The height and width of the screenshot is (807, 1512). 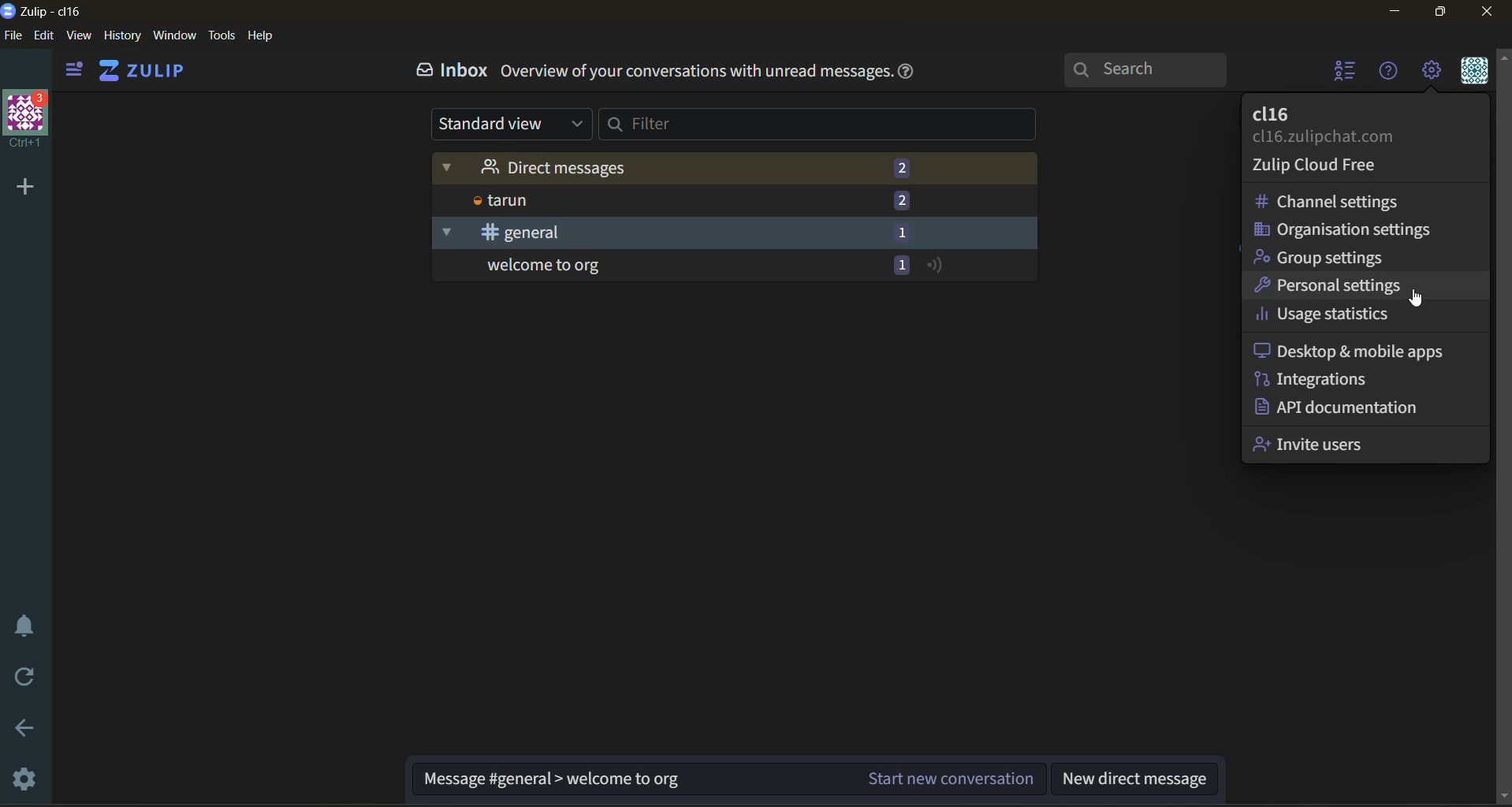 I want to click on invite users, so click(x=1367, y=445).